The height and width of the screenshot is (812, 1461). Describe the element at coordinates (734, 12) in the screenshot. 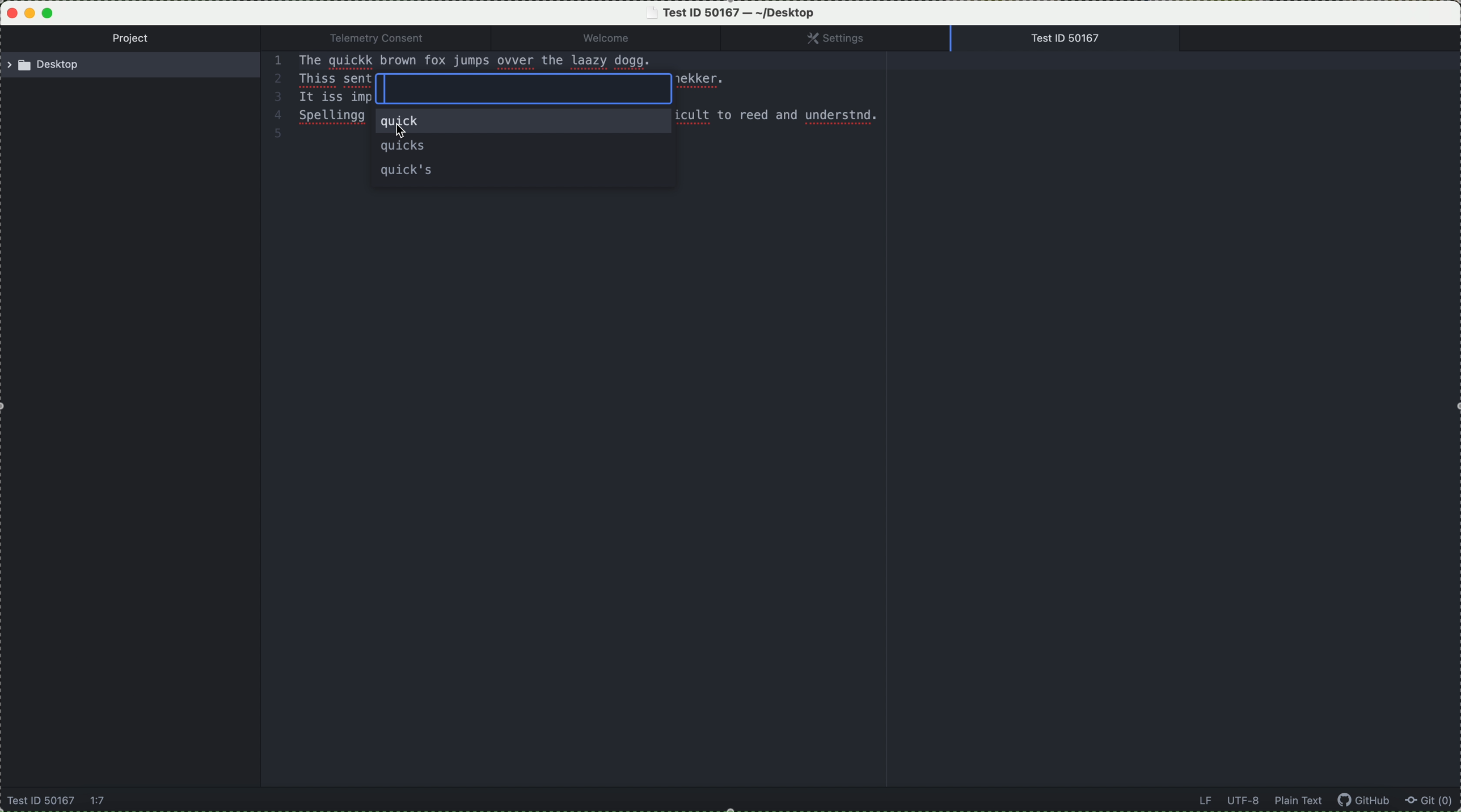

I see `file name` at that location.